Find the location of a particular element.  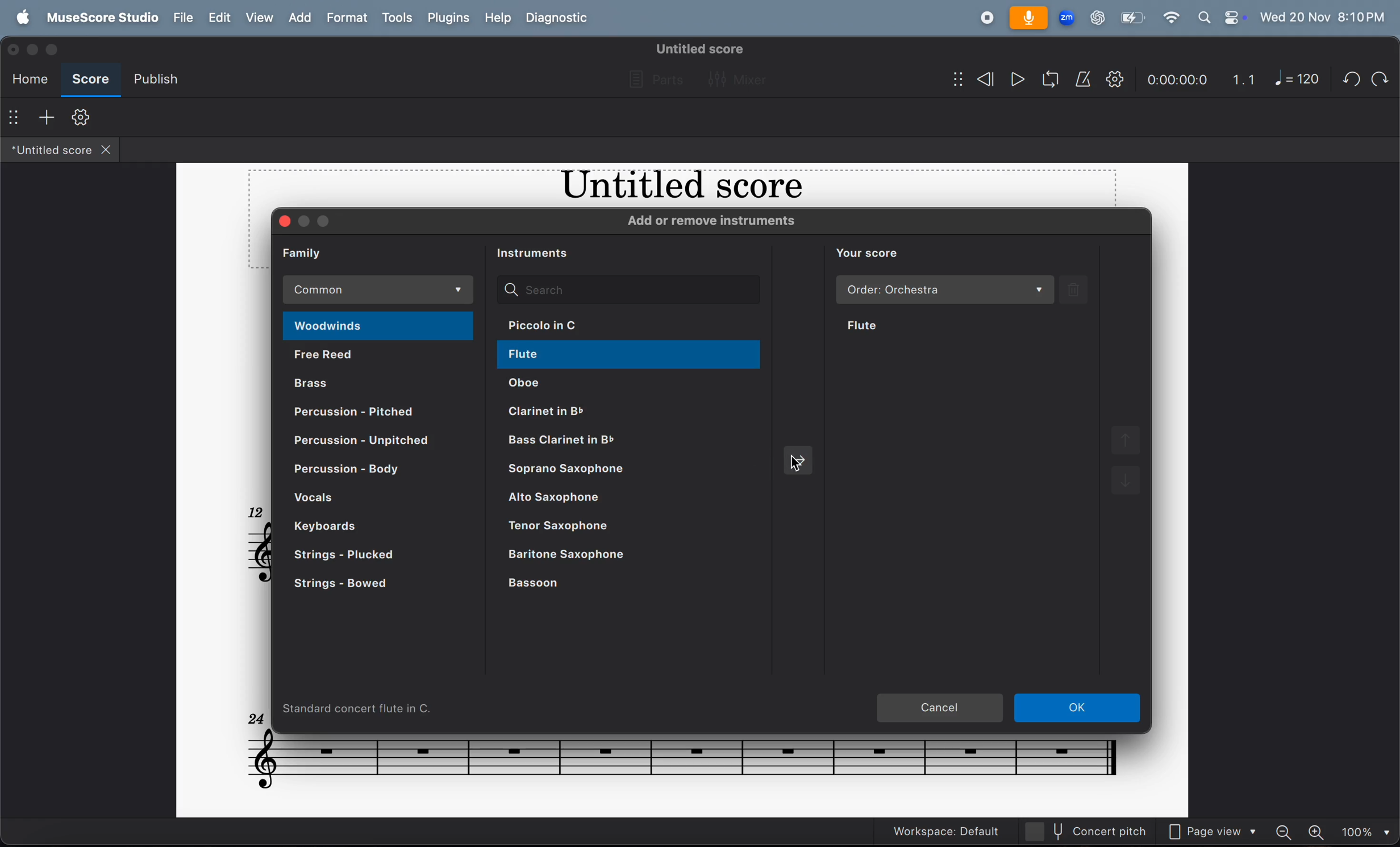

search is located at coordinates (1204, 16).